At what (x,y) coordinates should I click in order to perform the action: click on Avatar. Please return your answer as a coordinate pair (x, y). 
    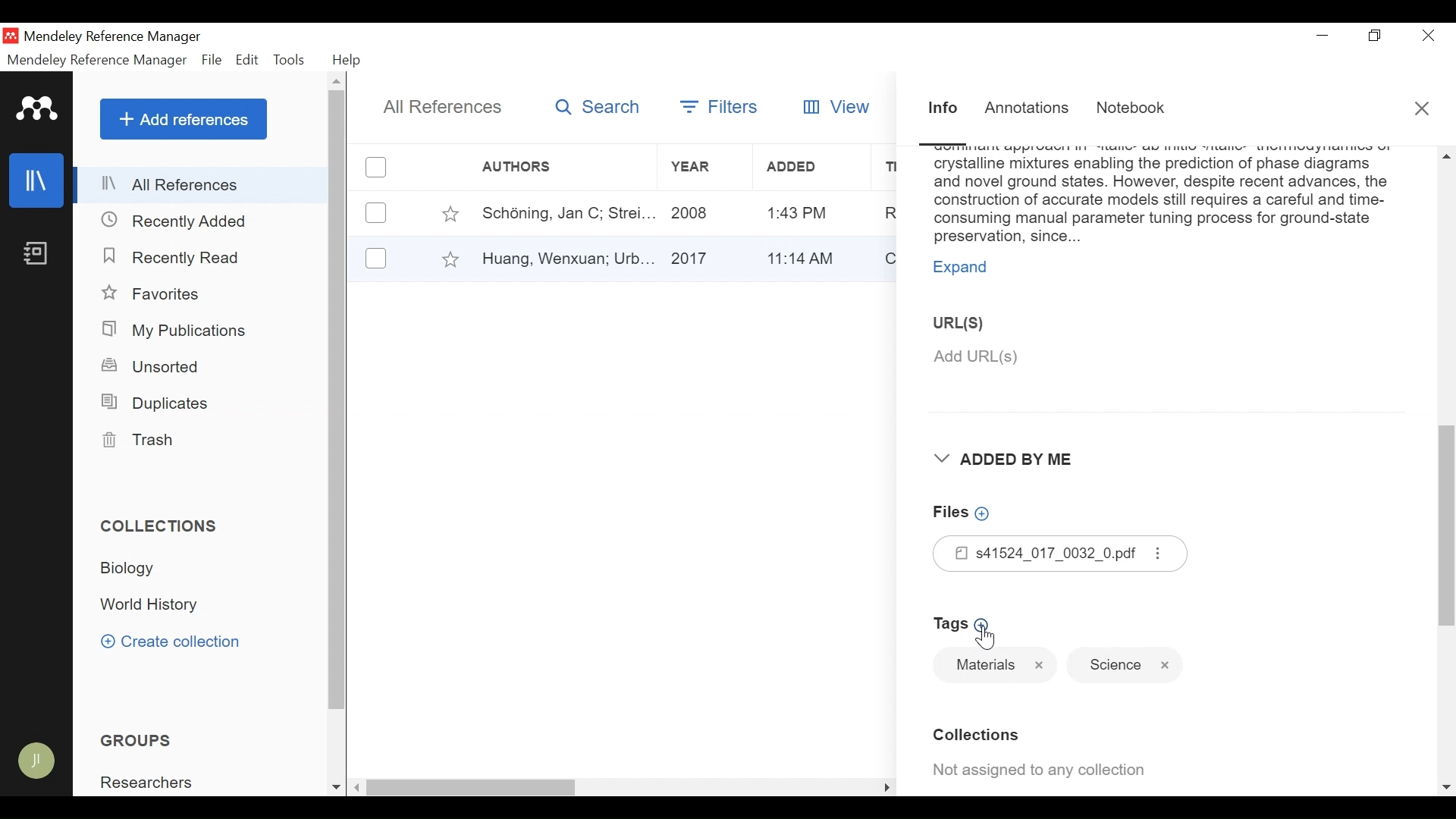
    Looking at the image, I should click on (37, 761).